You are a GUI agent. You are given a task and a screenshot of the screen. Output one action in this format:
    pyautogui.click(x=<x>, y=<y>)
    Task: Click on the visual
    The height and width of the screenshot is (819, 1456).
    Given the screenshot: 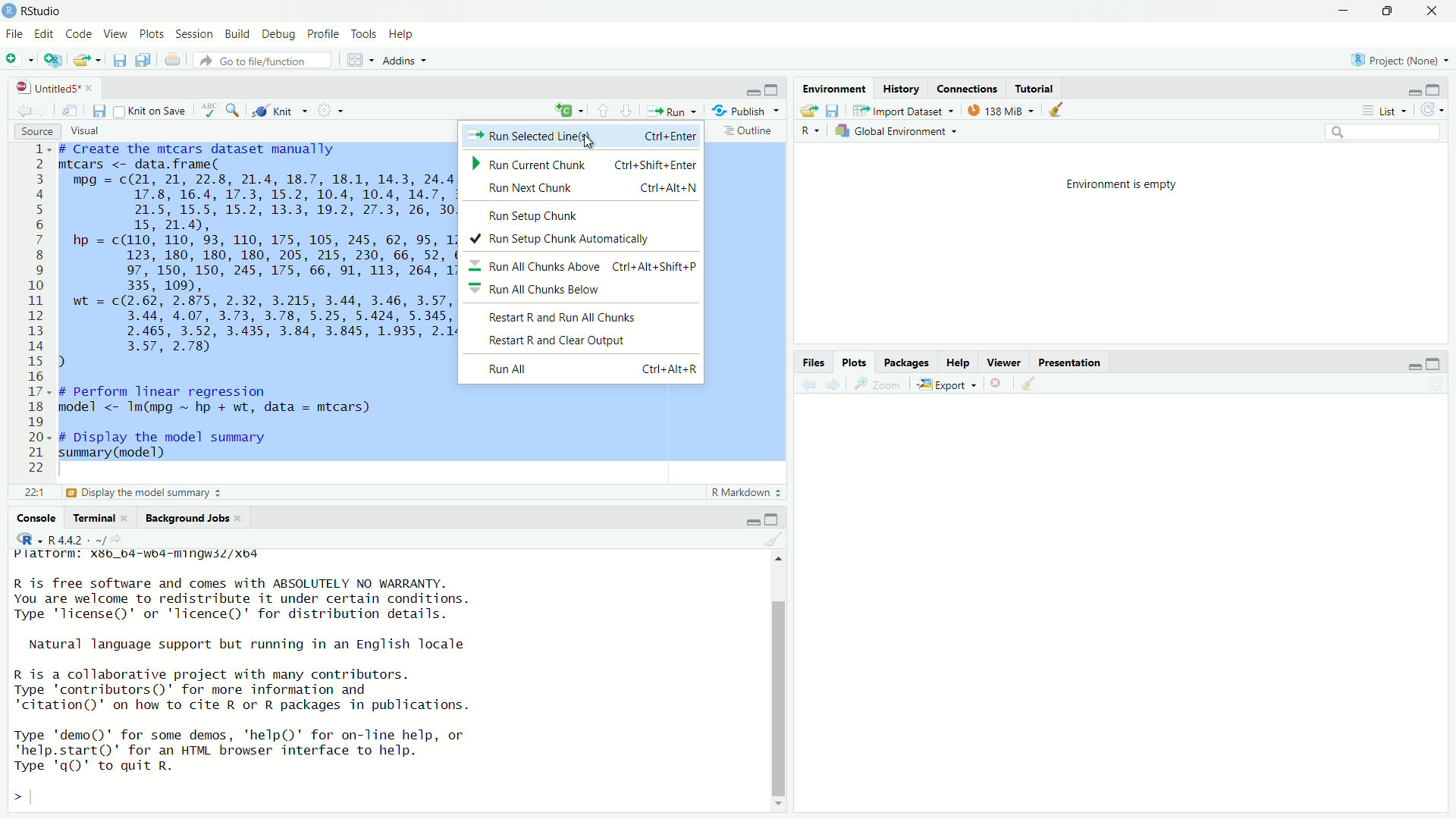 What is the action you would take?
    pyautogui.click(x=85, y=130)
    